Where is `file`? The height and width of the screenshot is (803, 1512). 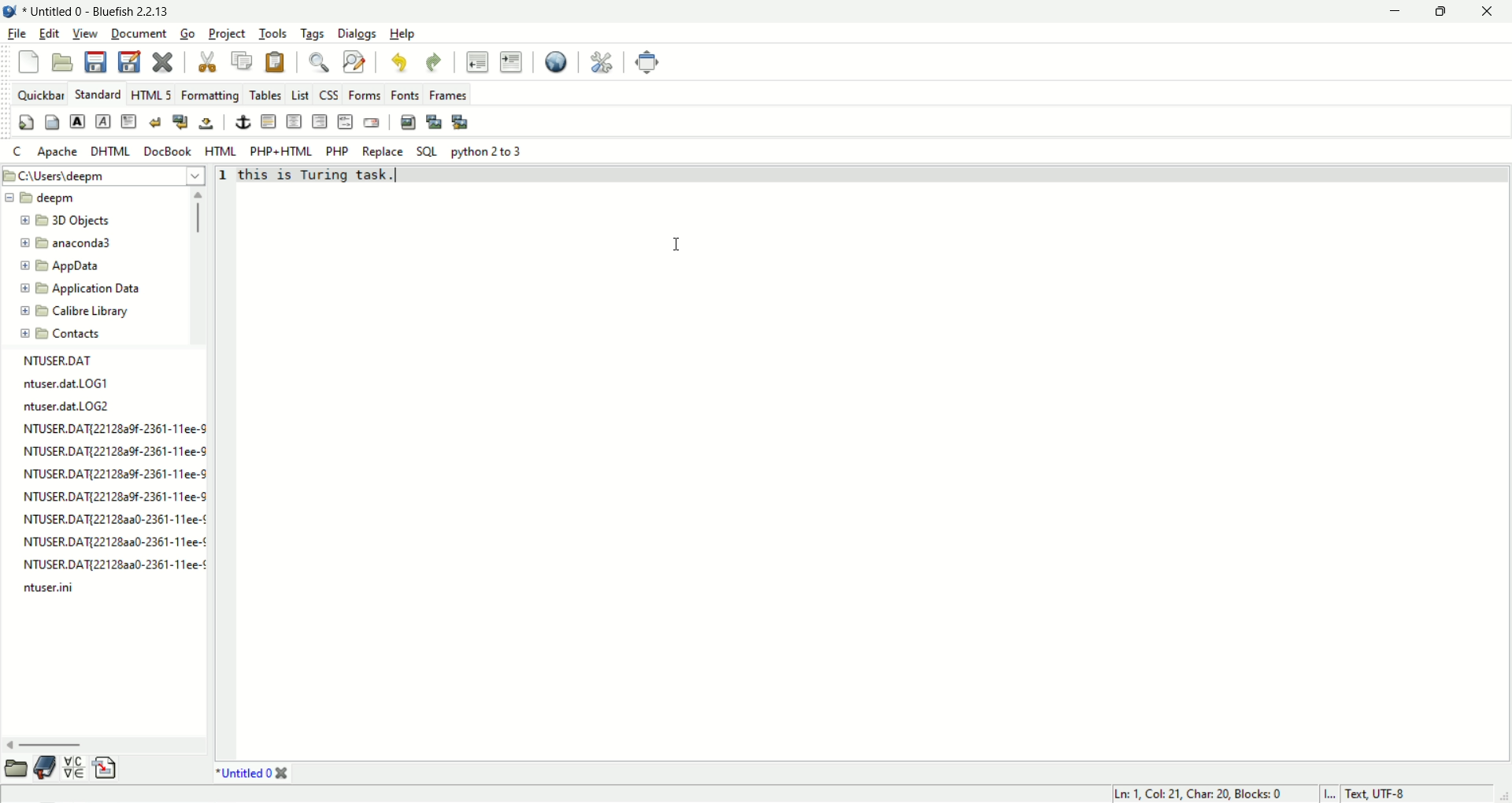 file is located at coordinates (15, 35).